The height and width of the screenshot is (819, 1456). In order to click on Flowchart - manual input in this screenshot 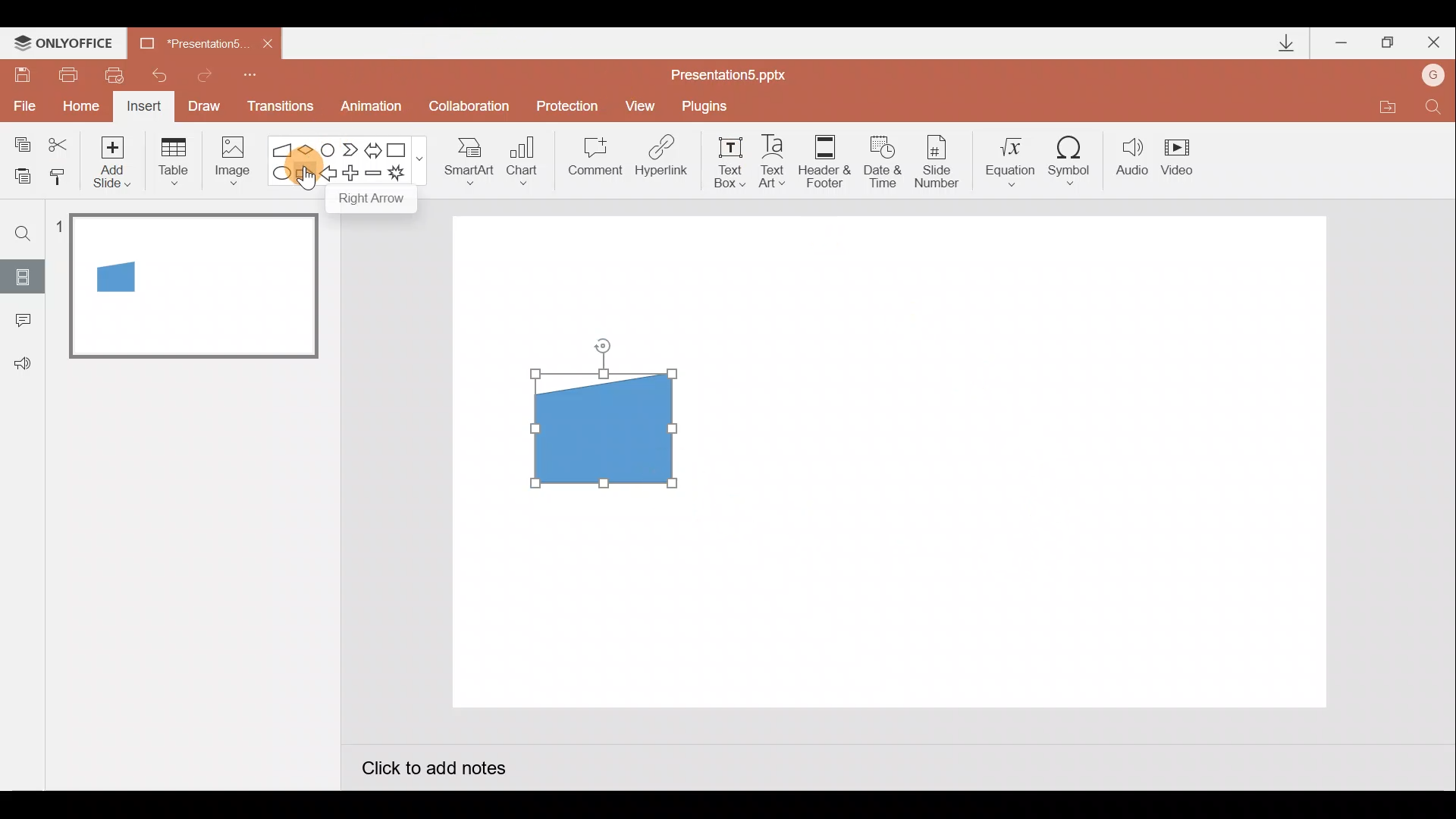, I will do `click(284, 148)`.